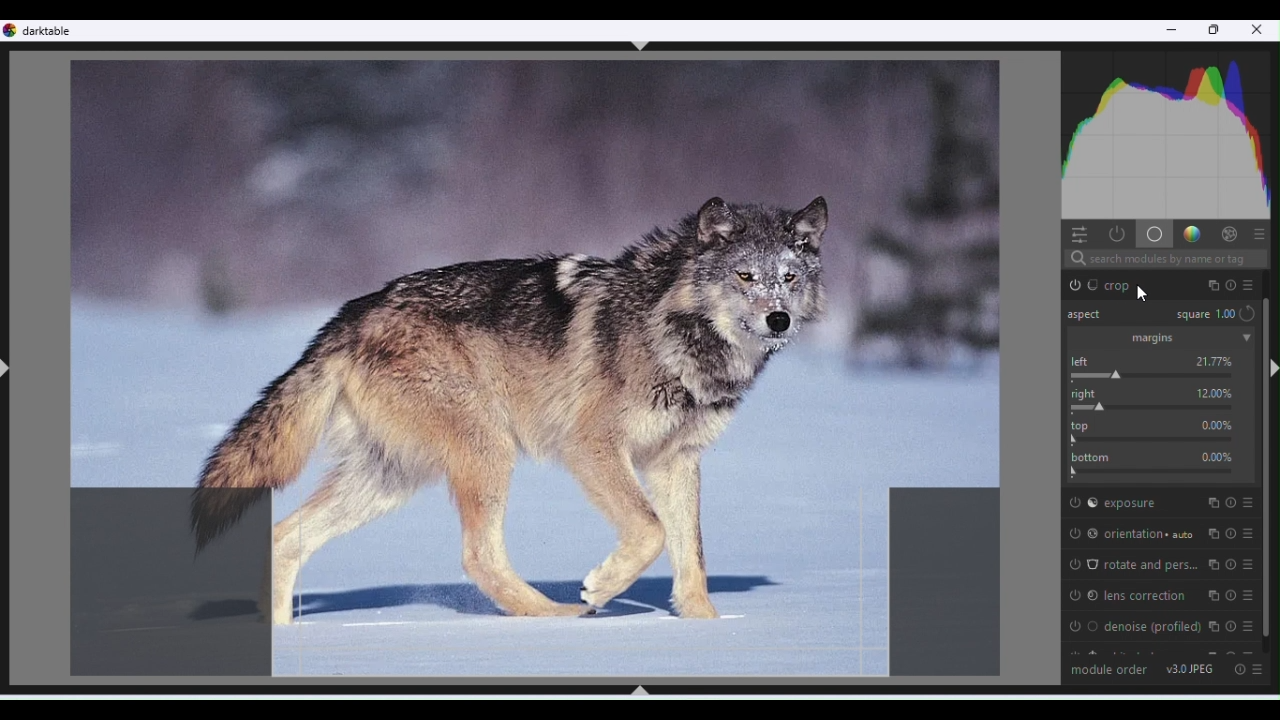 The image size is (1280, 720). I want to click on Search bar, so click(1164, 260).